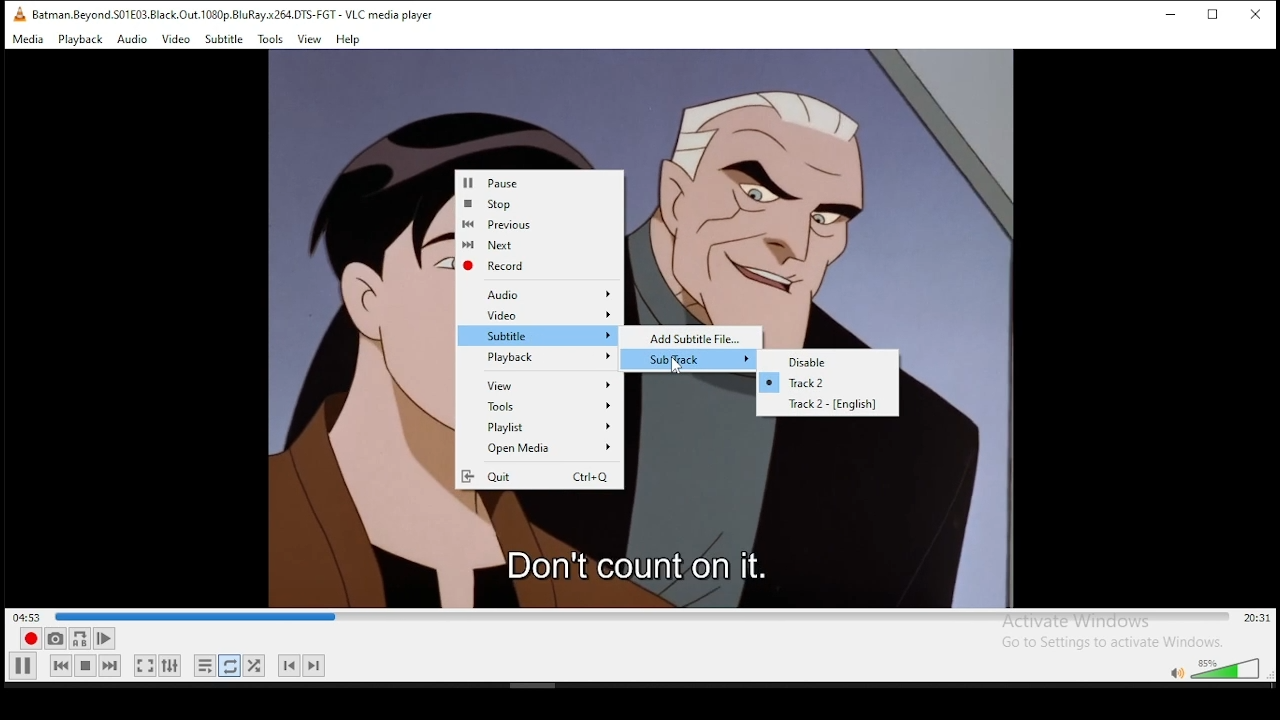 The image size is (1280, 720). I want to click on View , so click(544, 386).